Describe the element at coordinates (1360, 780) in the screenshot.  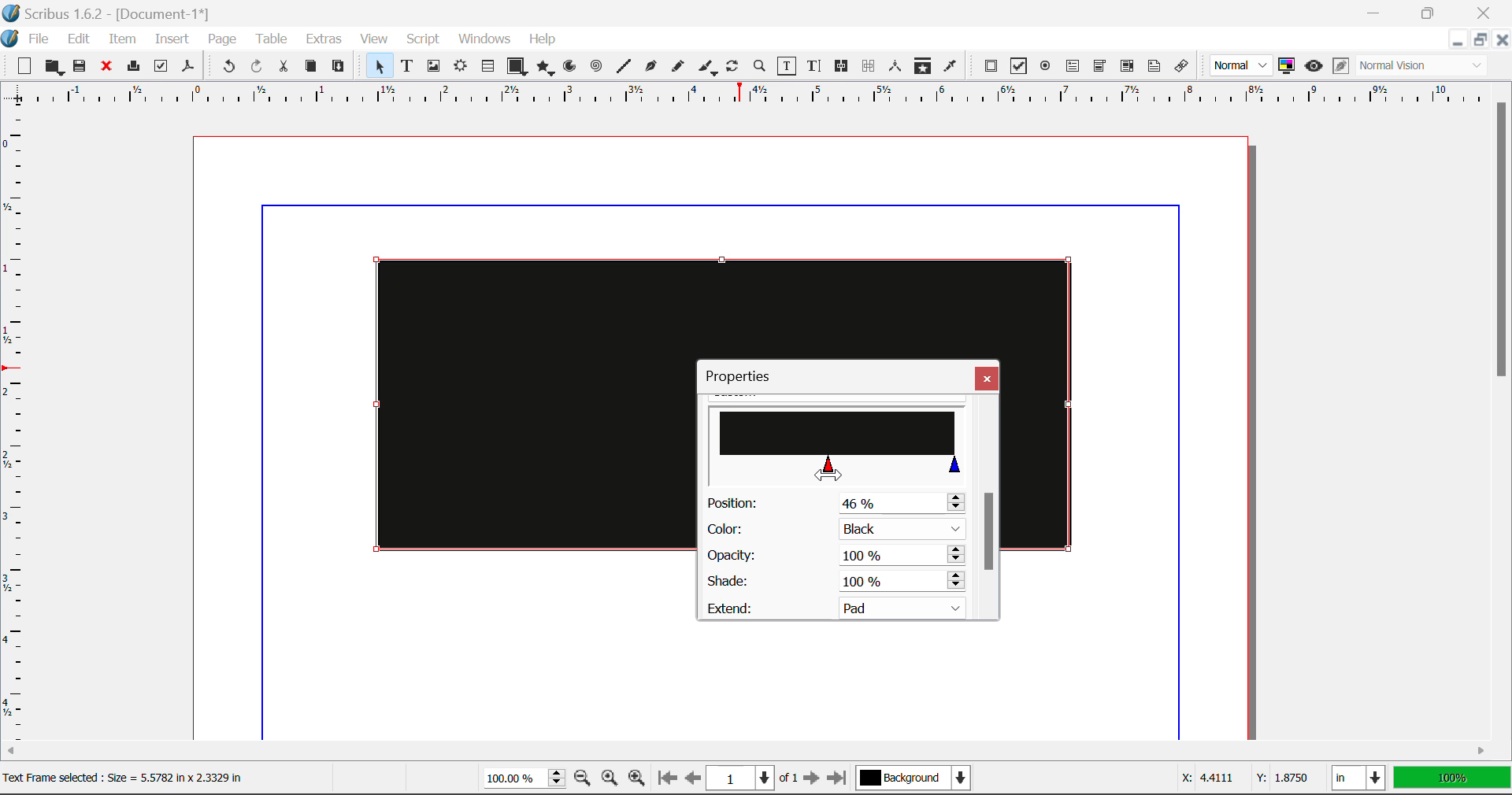
I see `Measurement Units` at that location.